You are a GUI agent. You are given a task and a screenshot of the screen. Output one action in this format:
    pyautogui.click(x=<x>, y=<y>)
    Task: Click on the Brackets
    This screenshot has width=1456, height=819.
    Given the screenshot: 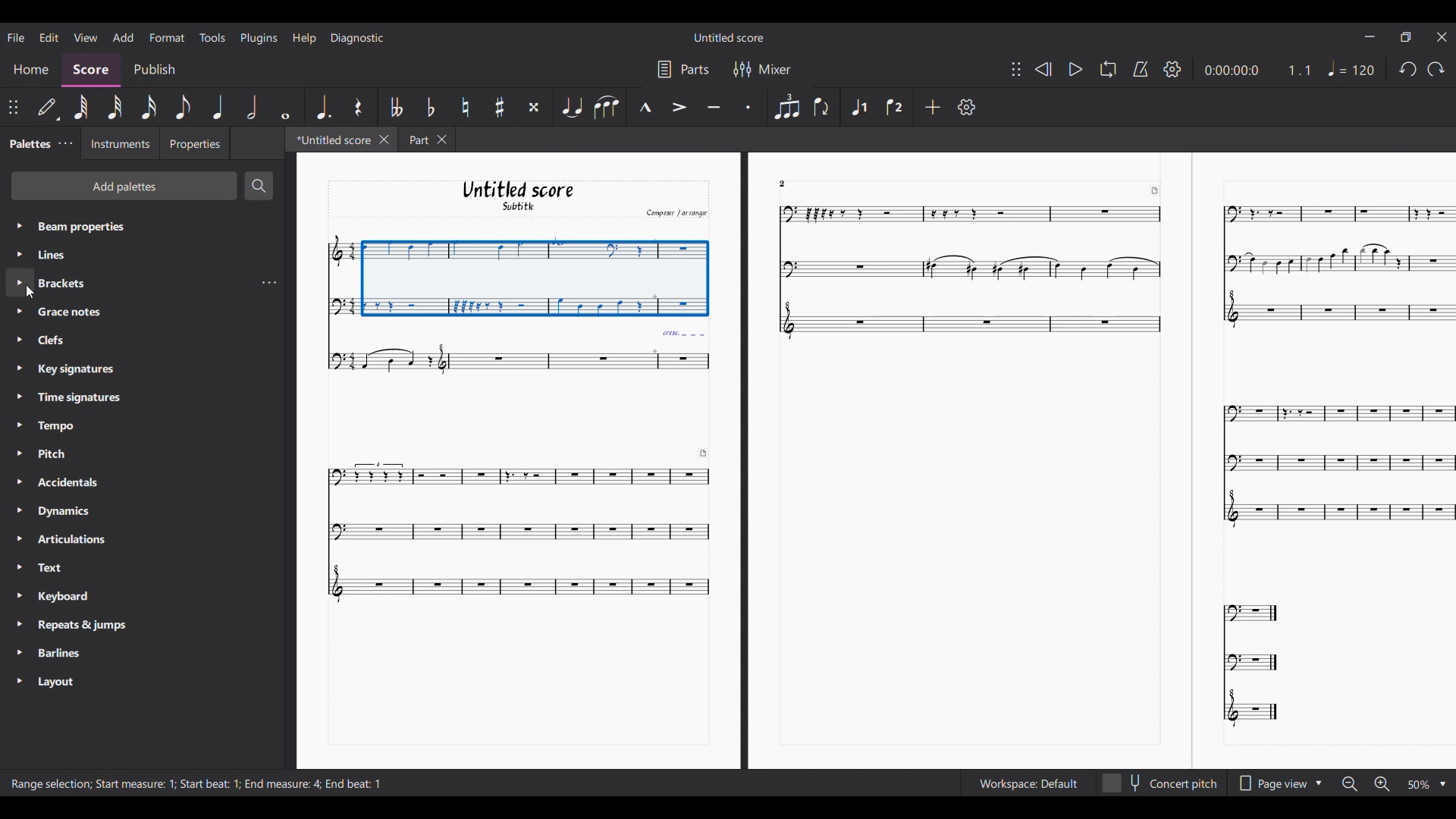 What is the action you would take?
    pyautogui.click(x=71, y=284)
    